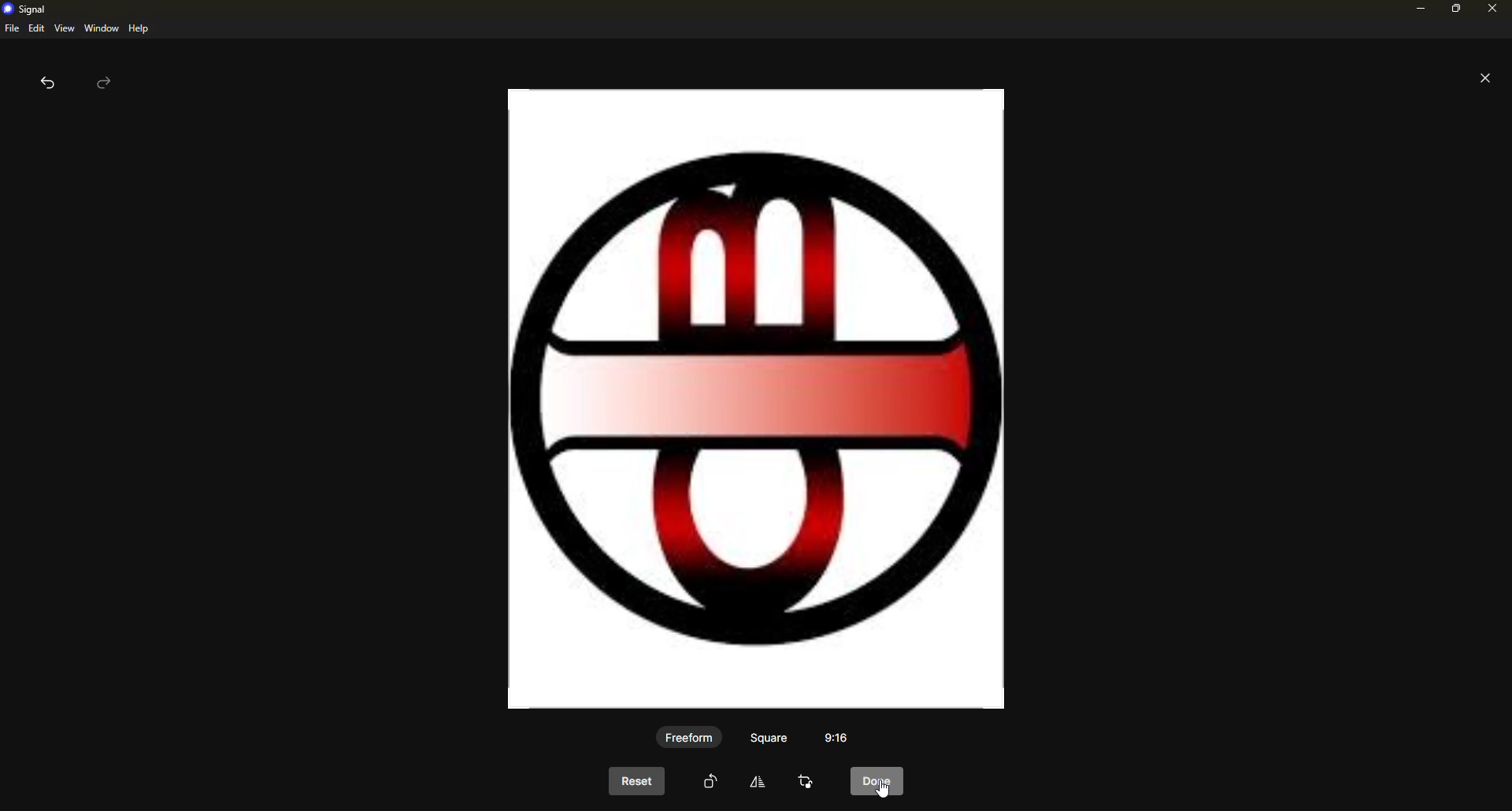  What do you see at coordinates (1492, 9) in the screenshot?
I see `close` at bounding box center [1492, 9].